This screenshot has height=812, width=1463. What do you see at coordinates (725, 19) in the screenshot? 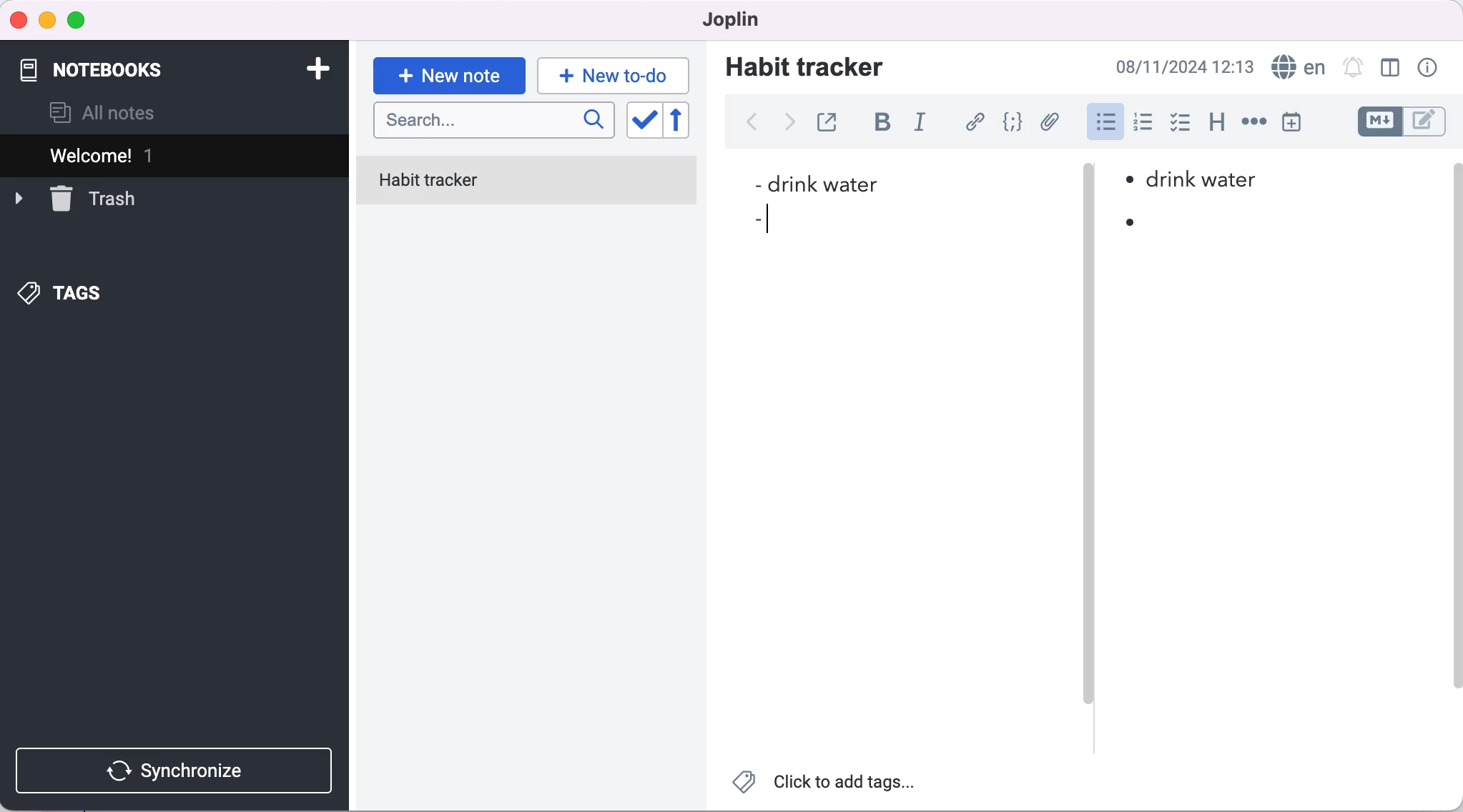
I see `joplin` at bounding box center [725, 19].